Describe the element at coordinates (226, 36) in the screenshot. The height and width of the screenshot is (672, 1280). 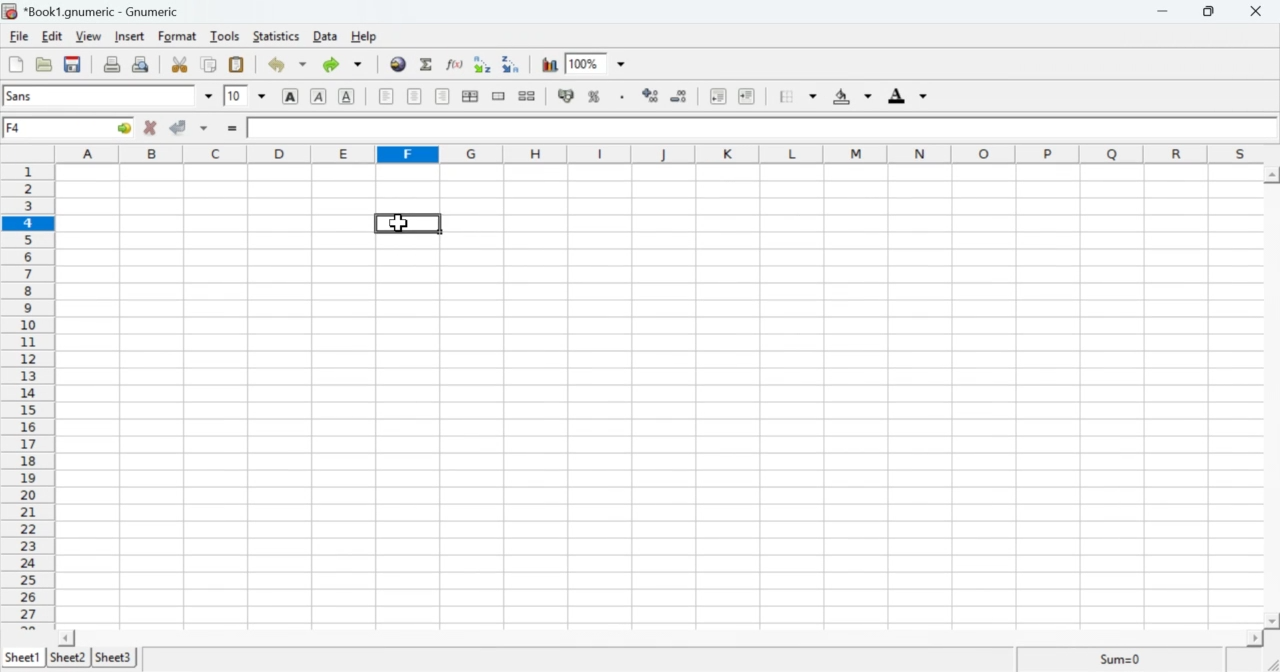
I see `Tools` at that location.